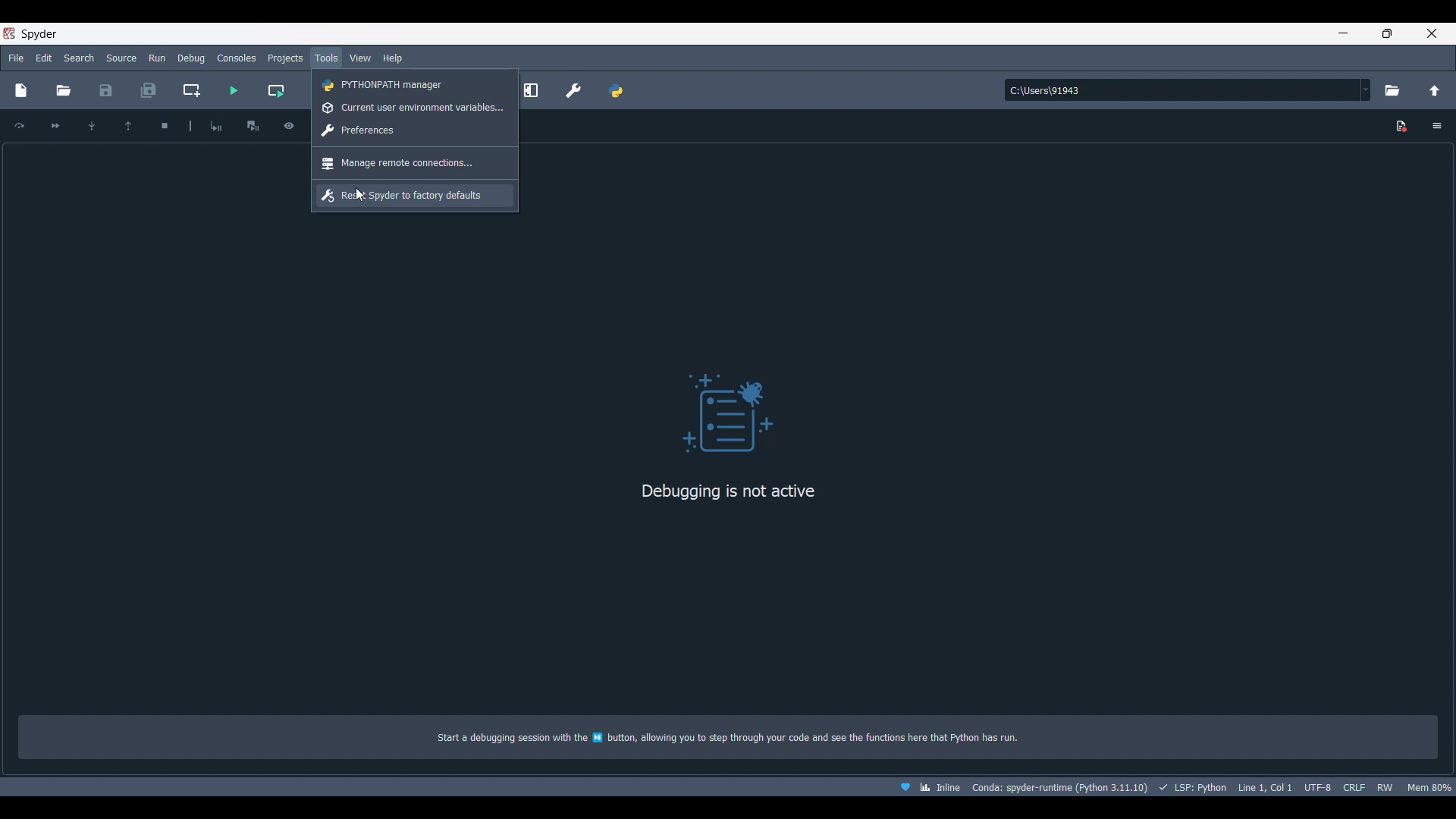 This screenshot has width=1456, height=819. I want to click on line 1, col1, so click(1264, 787).